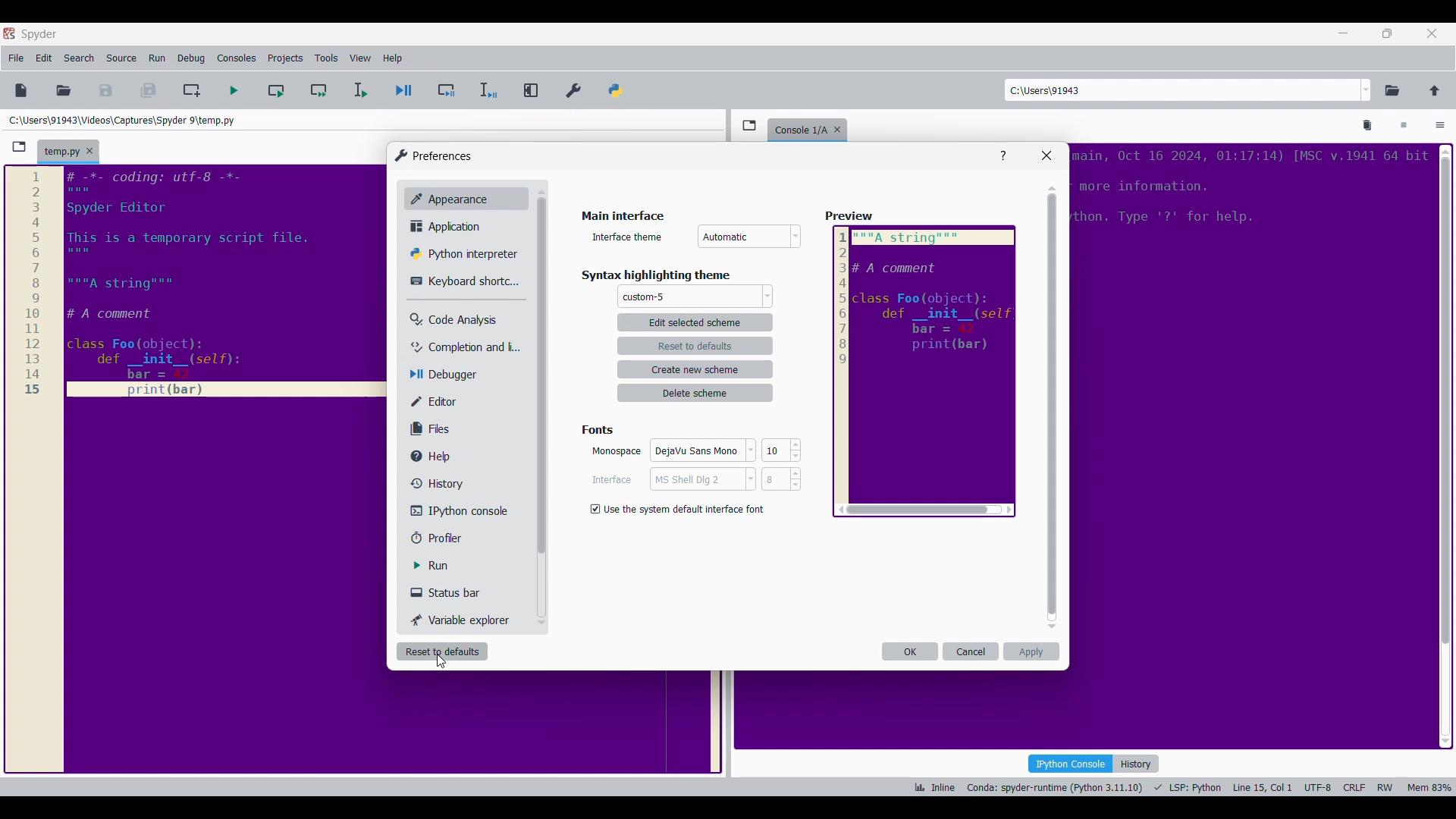  What do you see at coordinates (444, 663) in the screenshot?
I see `cursor` at bounding box center [444, 663].